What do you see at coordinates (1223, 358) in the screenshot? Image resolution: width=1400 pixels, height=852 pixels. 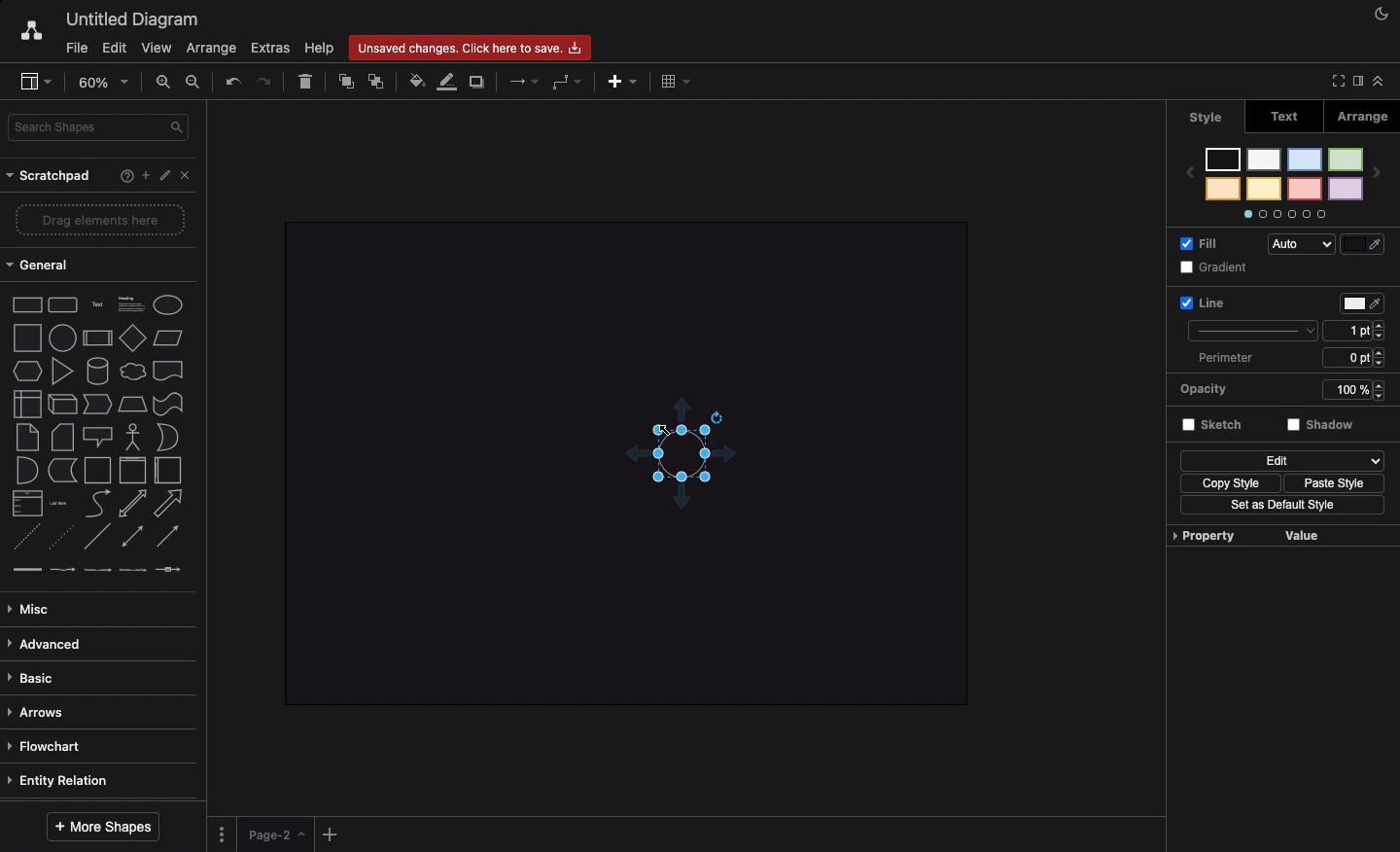 I see `Perimeter` at bounding box center [1223, 358].